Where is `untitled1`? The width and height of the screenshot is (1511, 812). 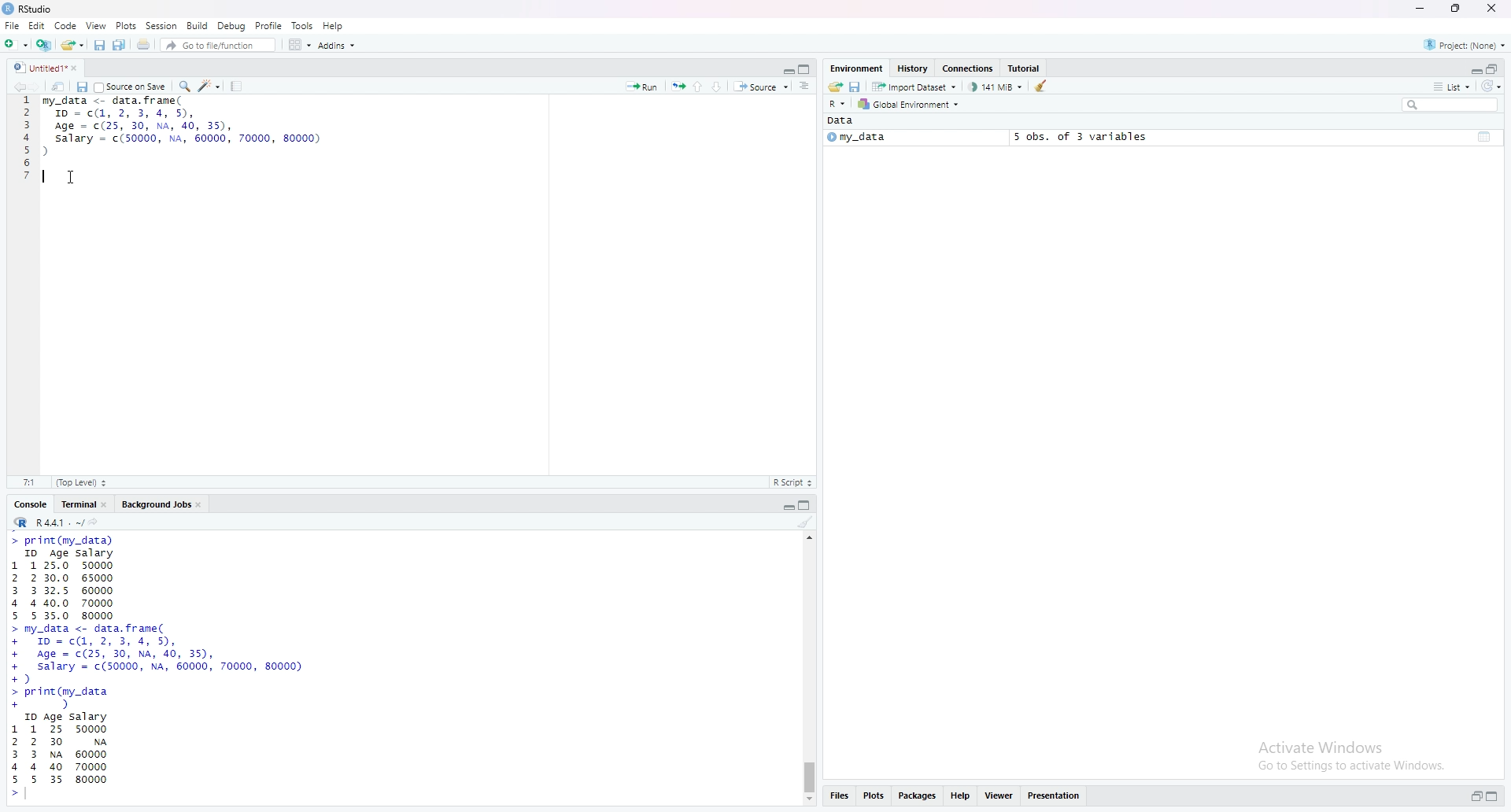
untitled1 is located at coordinates (45, 67).